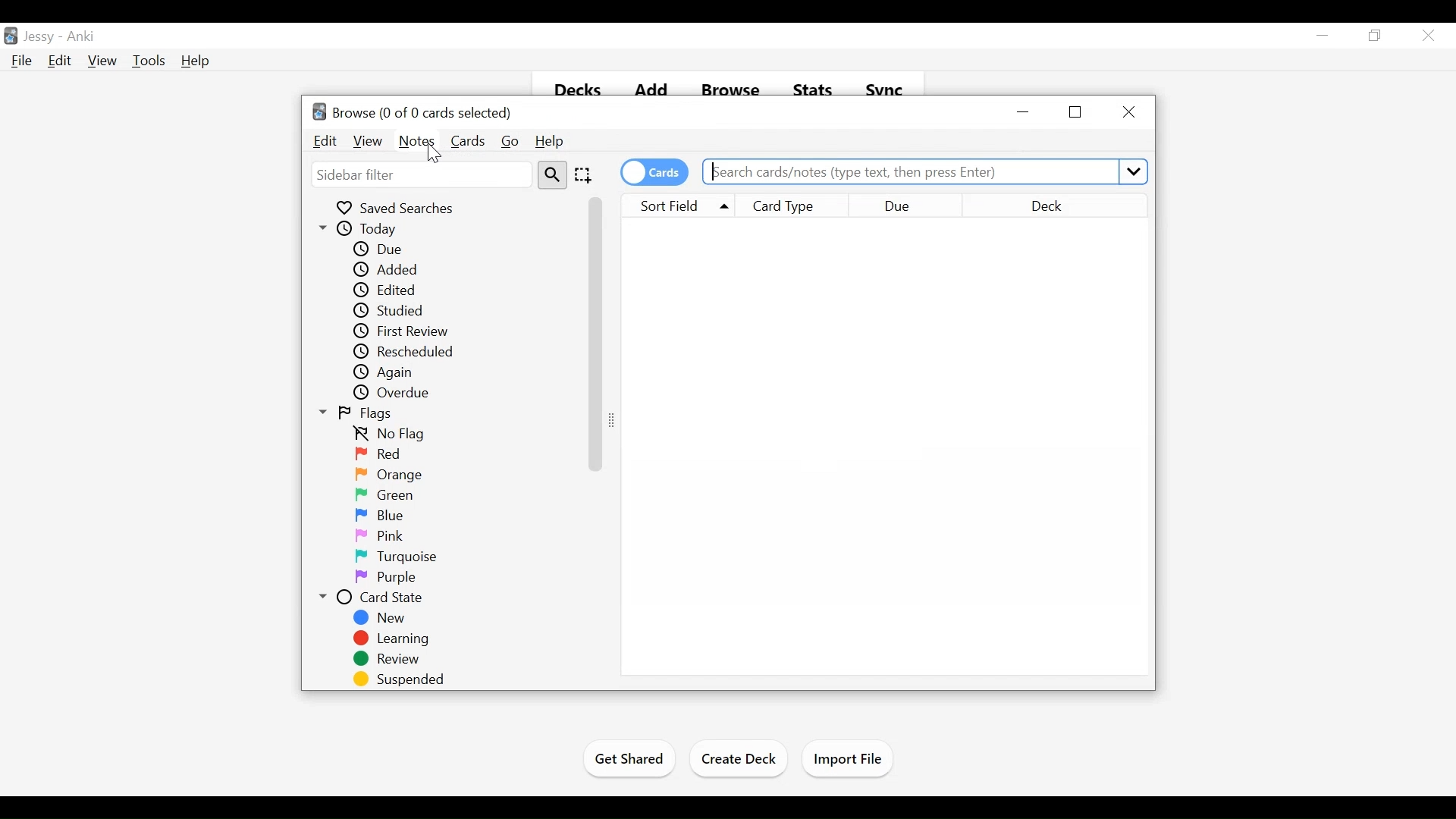 The image size is (1456, 819). I want to click on Sync, so click(886, 87).